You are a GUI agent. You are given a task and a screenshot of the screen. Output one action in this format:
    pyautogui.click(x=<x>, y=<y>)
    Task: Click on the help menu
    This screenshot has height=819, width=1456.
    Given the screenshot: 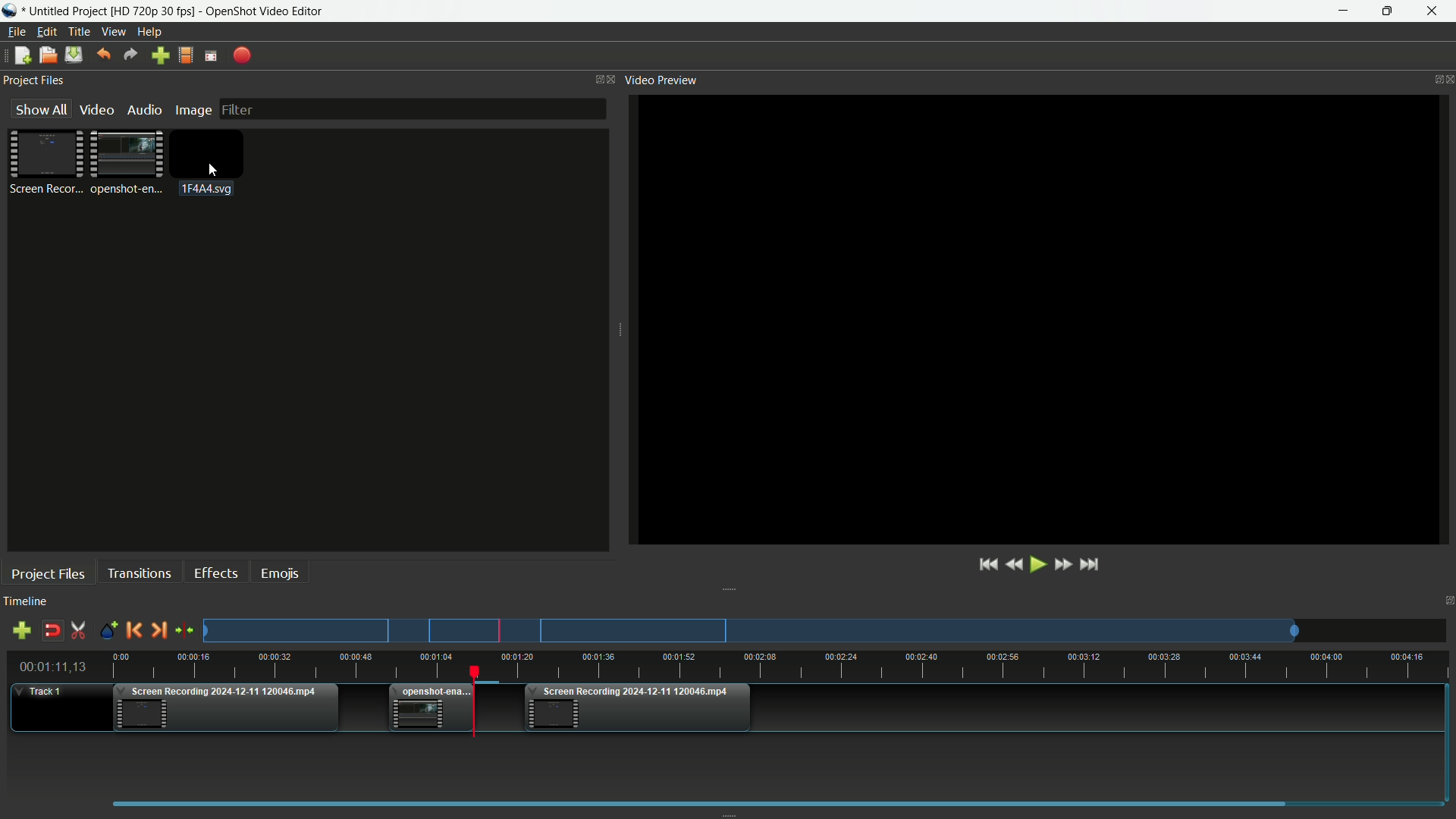 What is the action you would take?
    pyautogui.click(x=151, y=33)
    